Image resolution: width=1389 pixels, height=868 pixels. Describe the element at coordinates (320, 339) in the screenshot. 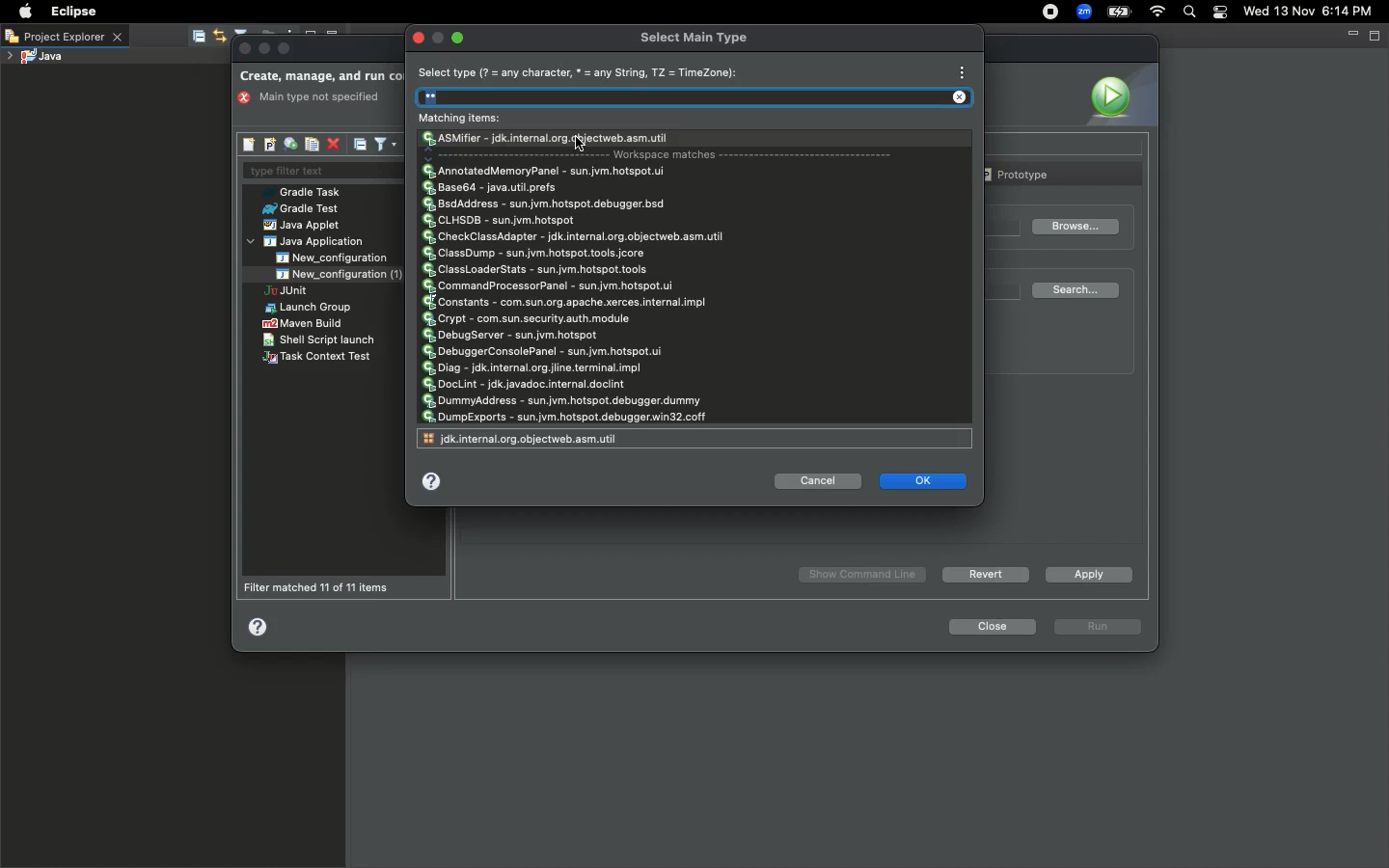

I see `Shell script launch` at that location.